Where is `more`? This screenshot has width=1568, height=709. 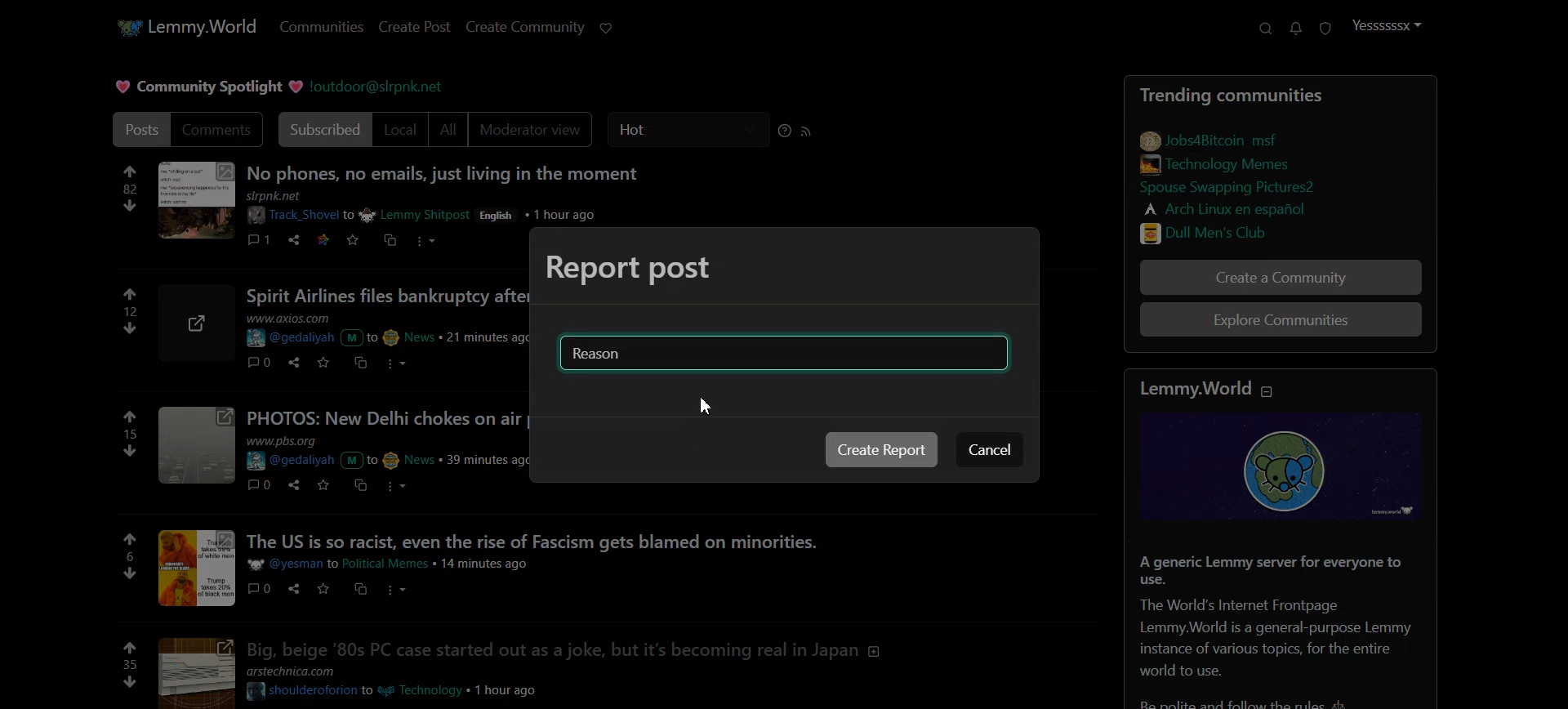 more is located at coordinates (393, 362).